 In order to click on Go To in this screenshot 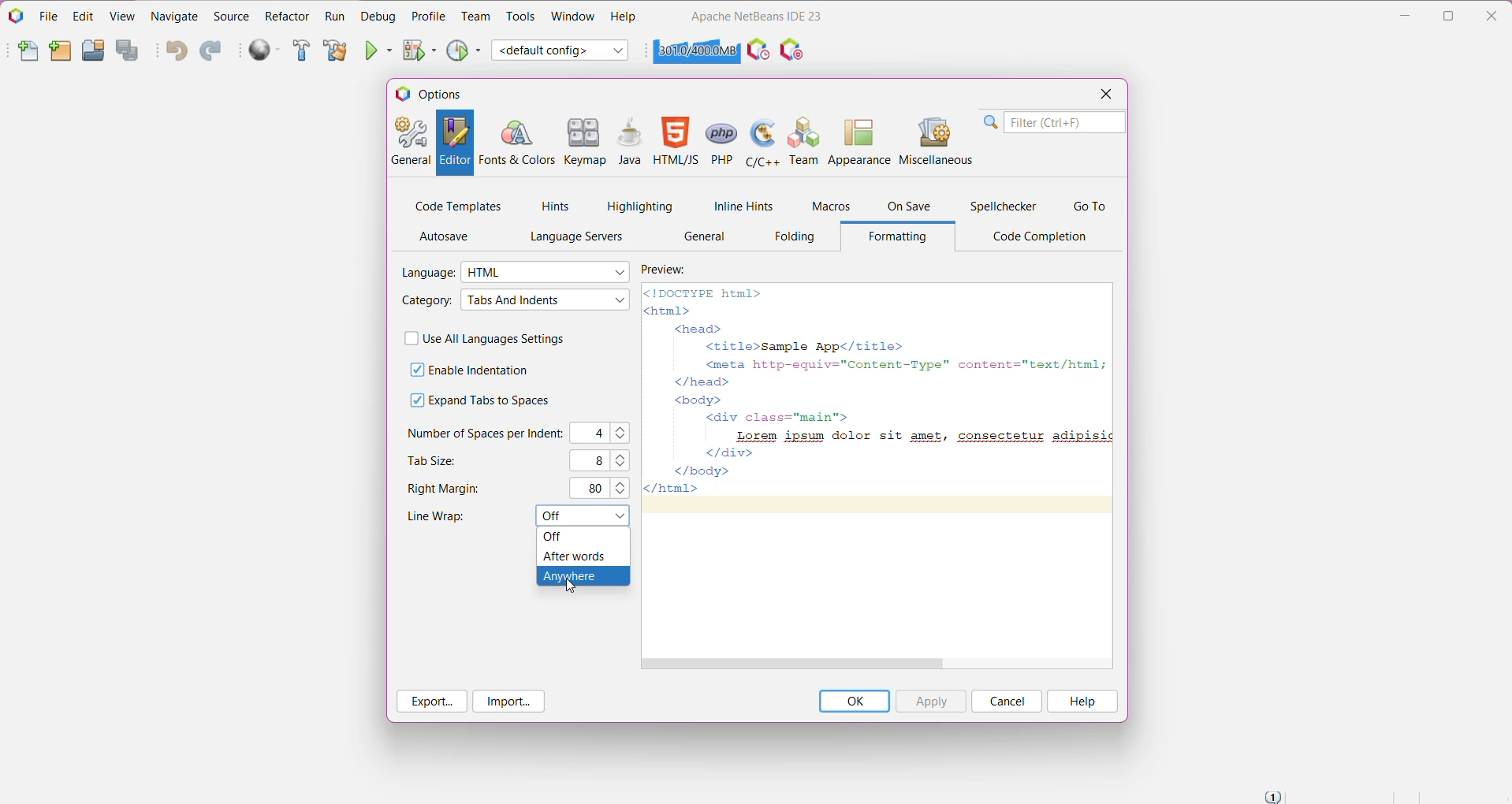, I will do `click(1089, 207)`.